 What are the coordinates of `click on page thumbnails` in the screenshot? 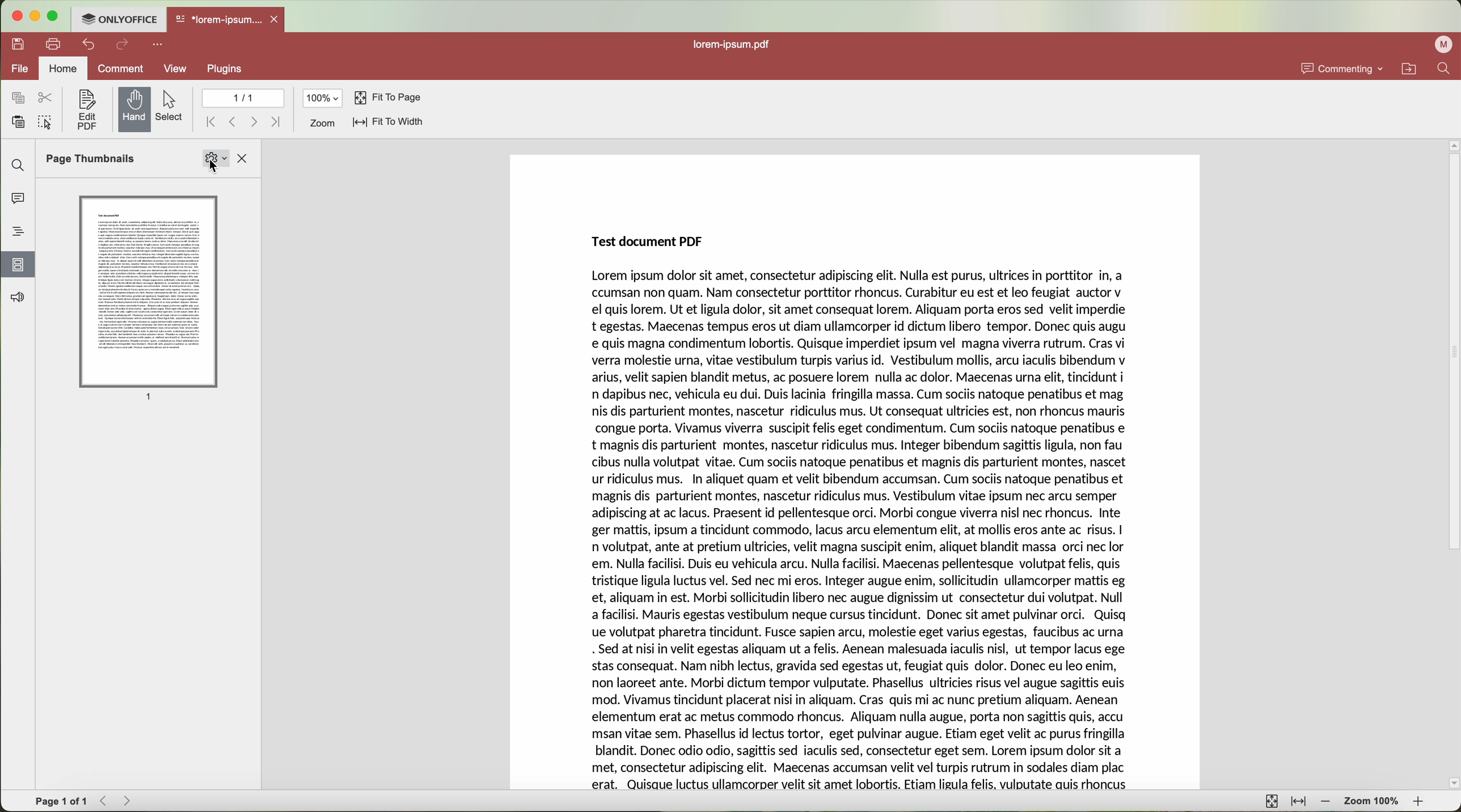 It's located at (18, 264).